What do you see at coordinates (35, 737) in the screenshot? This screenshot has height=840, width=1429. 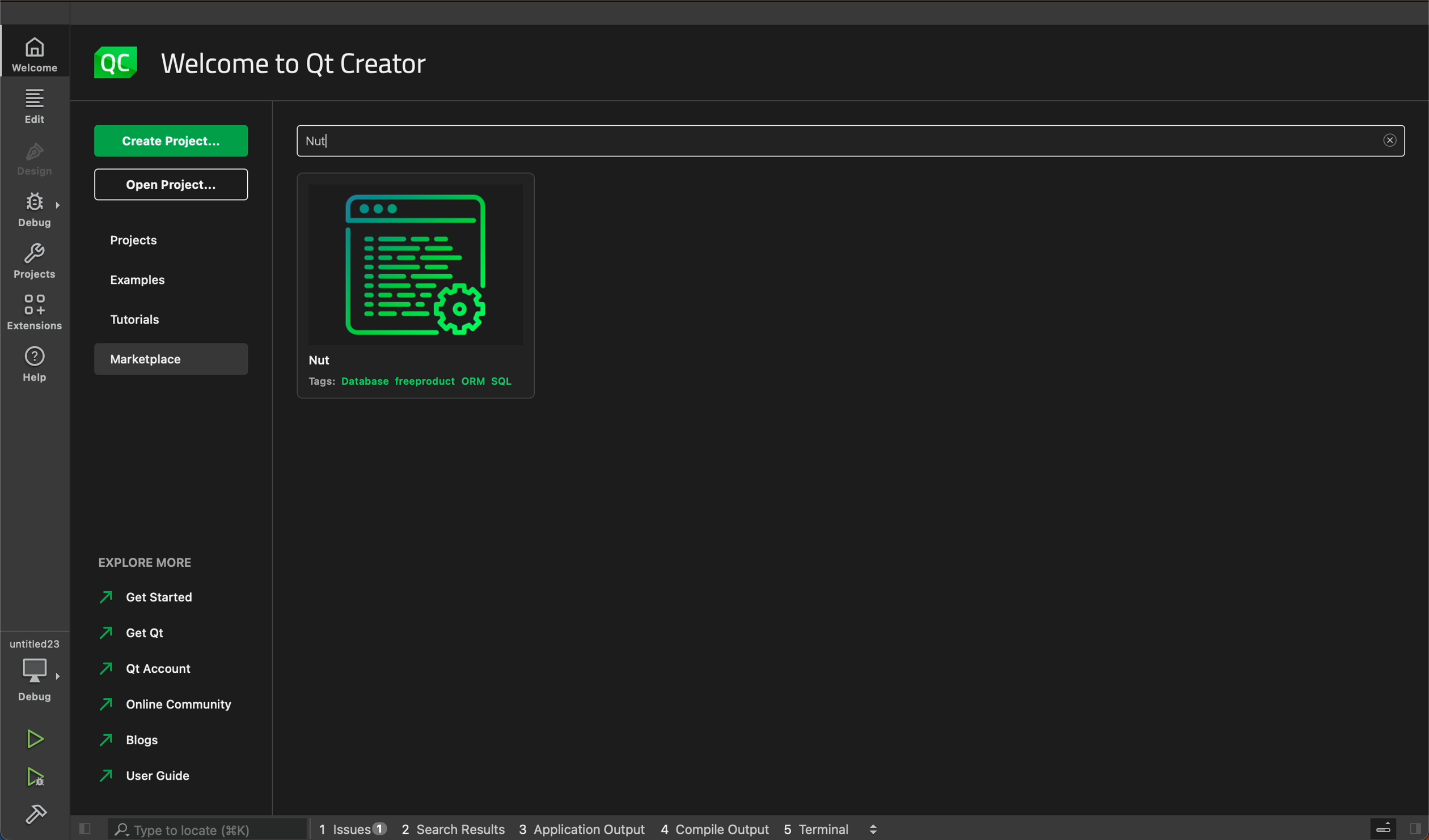 I see `run` at bounding box center [35, 737].